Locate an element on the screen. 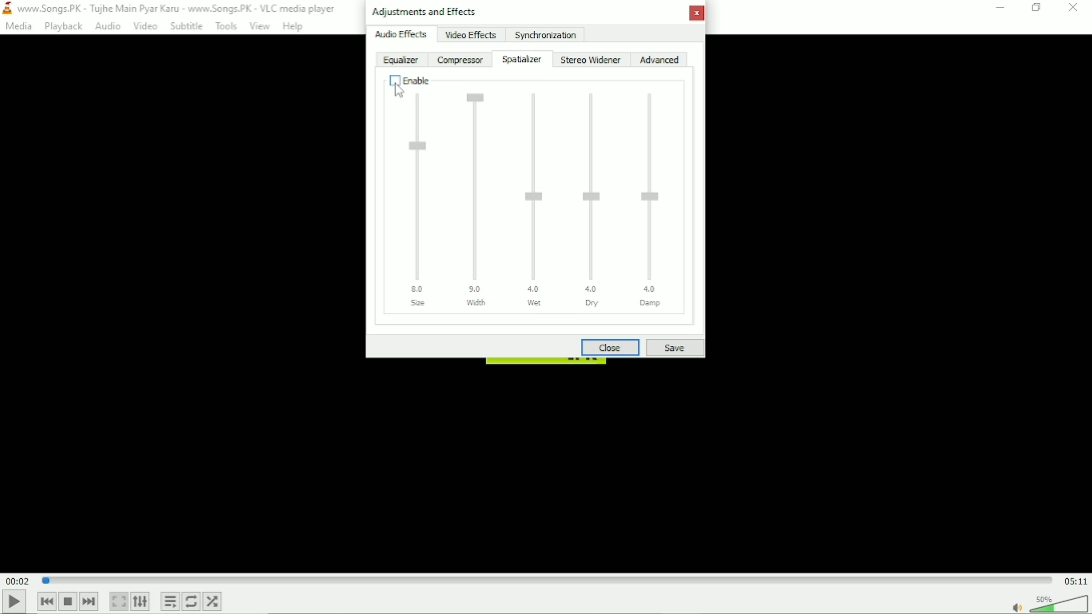 The width and height of the screenshot is (1092, 614). Video is located at coordinates (143, 27).